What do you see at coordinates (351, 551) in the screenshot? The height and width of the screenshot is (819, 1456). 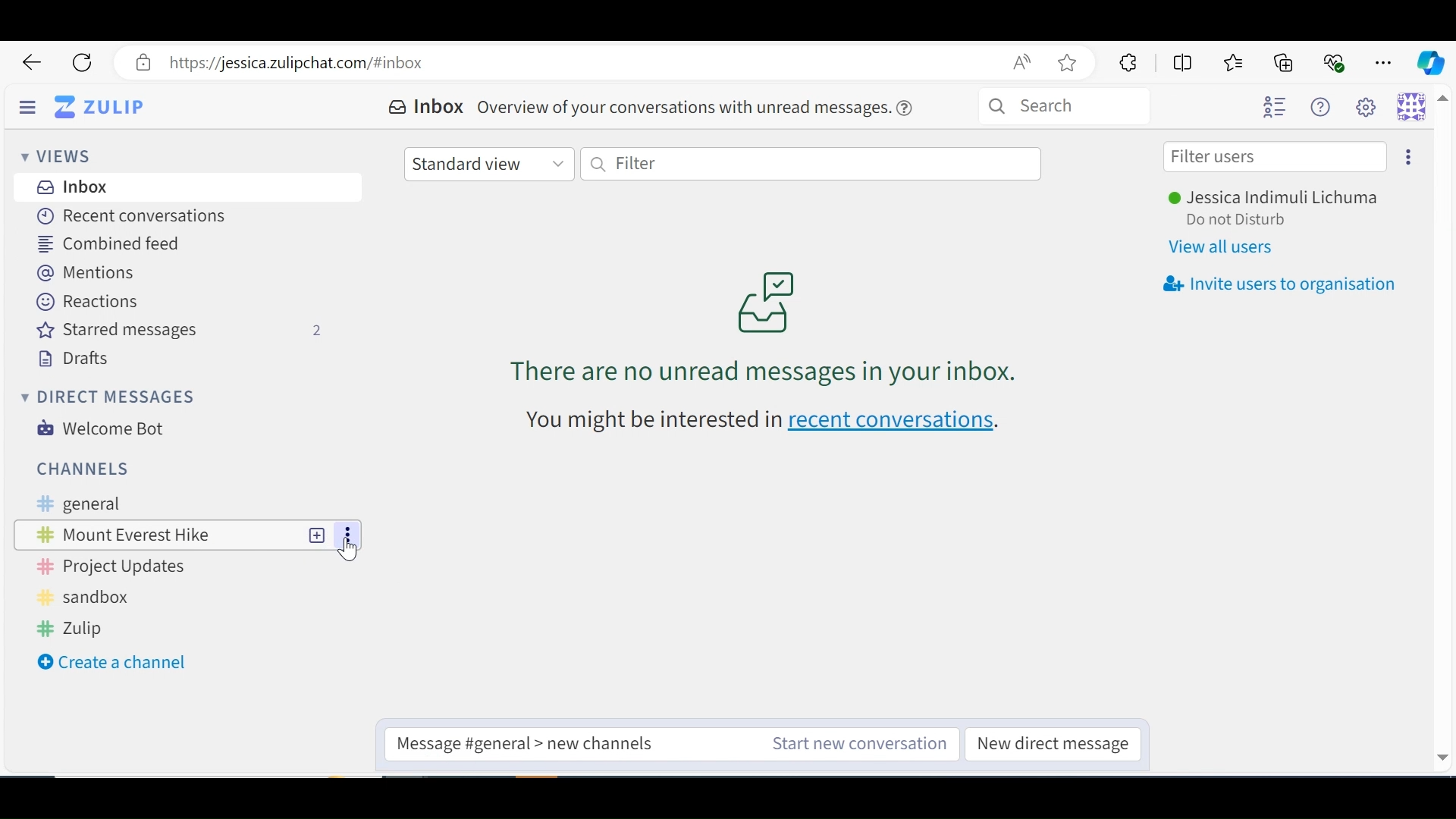 I see `cursor` at bounding box center [351, 551].